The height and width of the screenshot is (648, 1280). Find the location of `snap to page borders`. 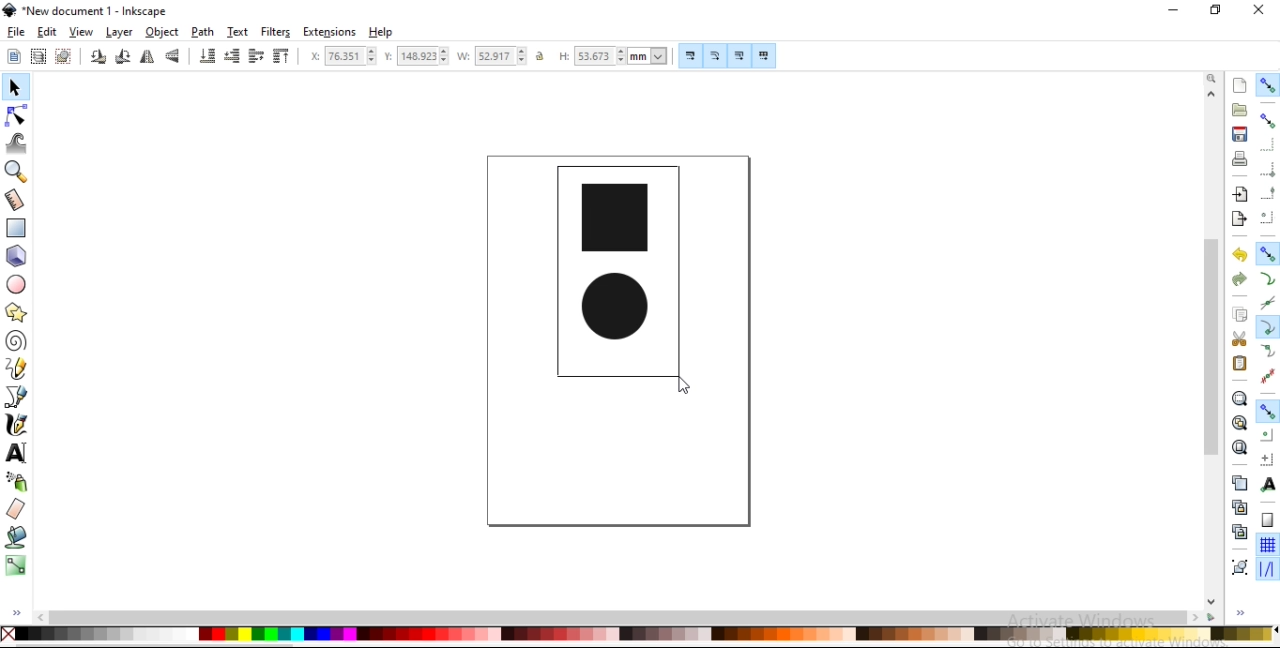

snap to page borders is located at coordinates (1267, 519).